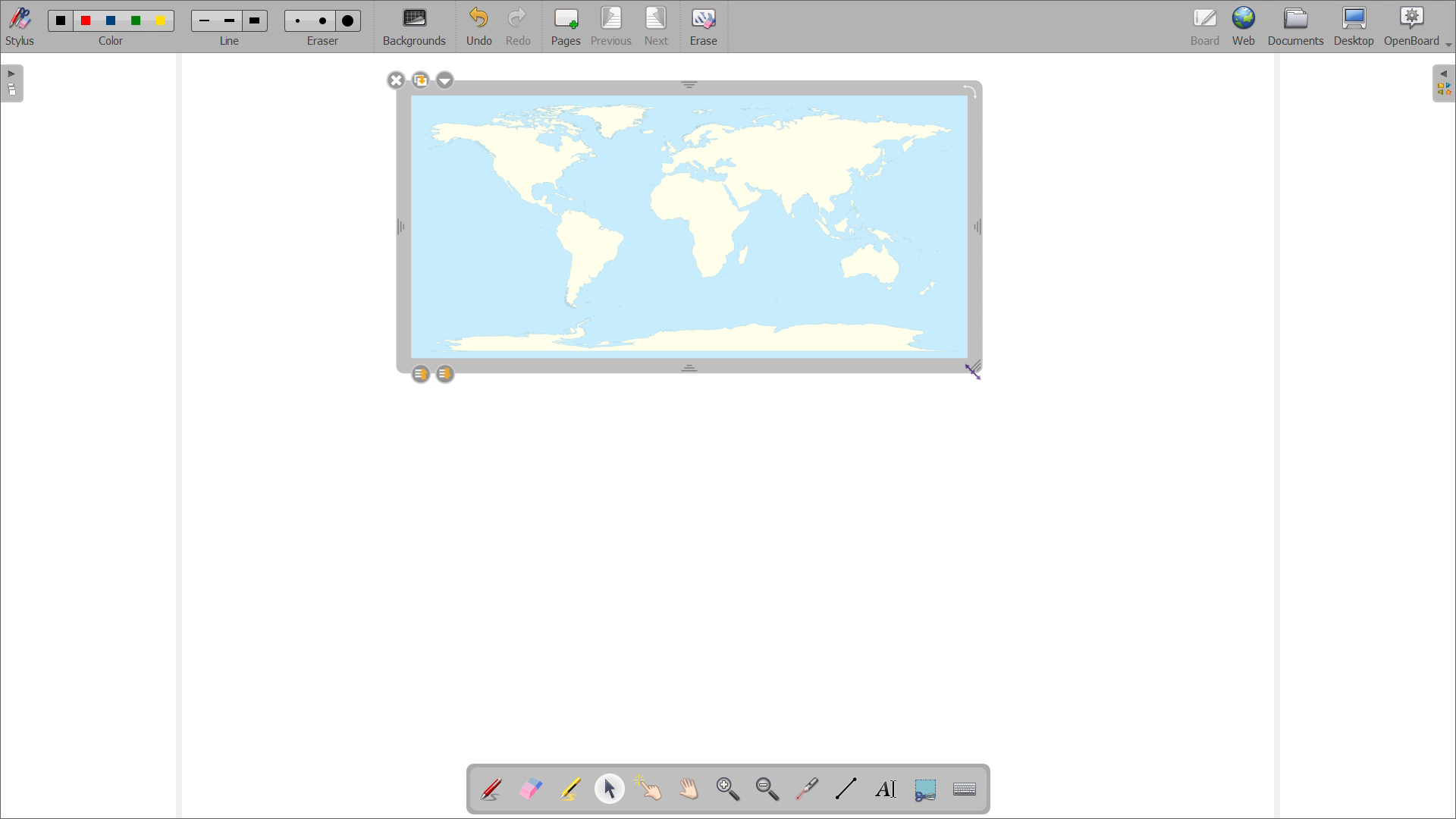  What do you see at coordinates (322, 42) in the screenshot?
I see `eraser` at bounding box center [322, 42].